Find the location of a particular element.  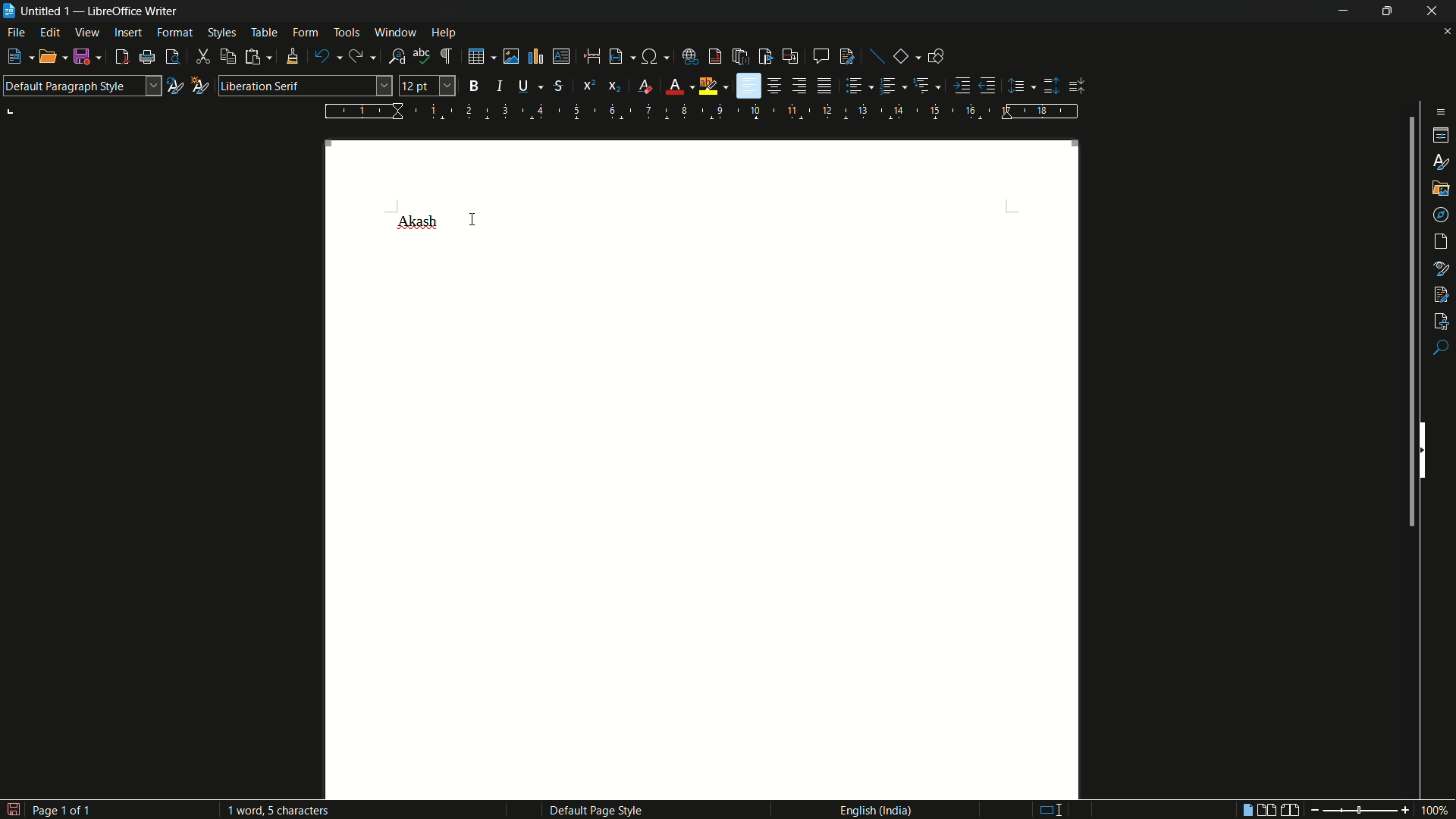

insert text box is located at coordinates (560, 56).